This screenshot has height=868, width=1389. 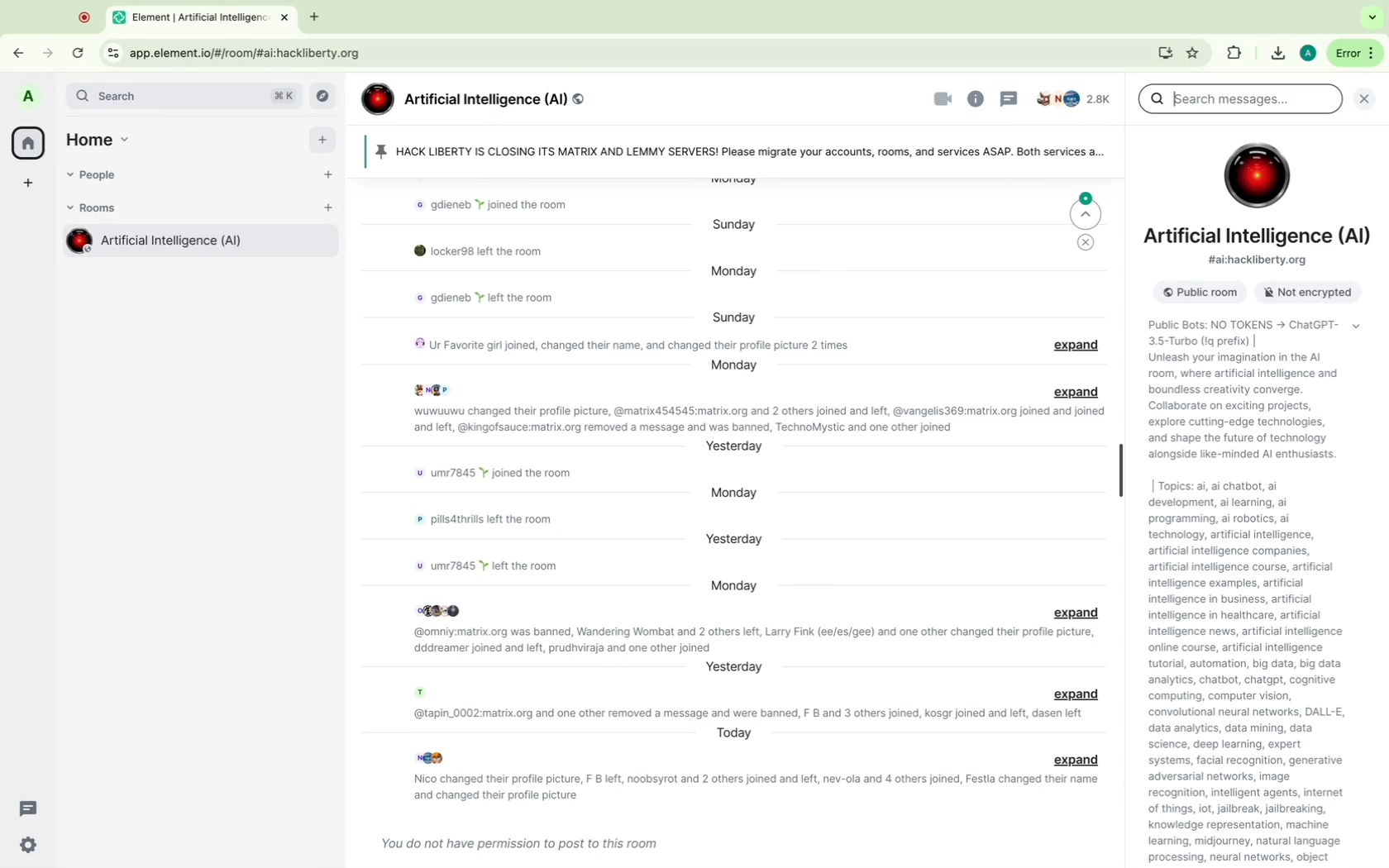 I want to click on more, so click(x=1353, y=53).